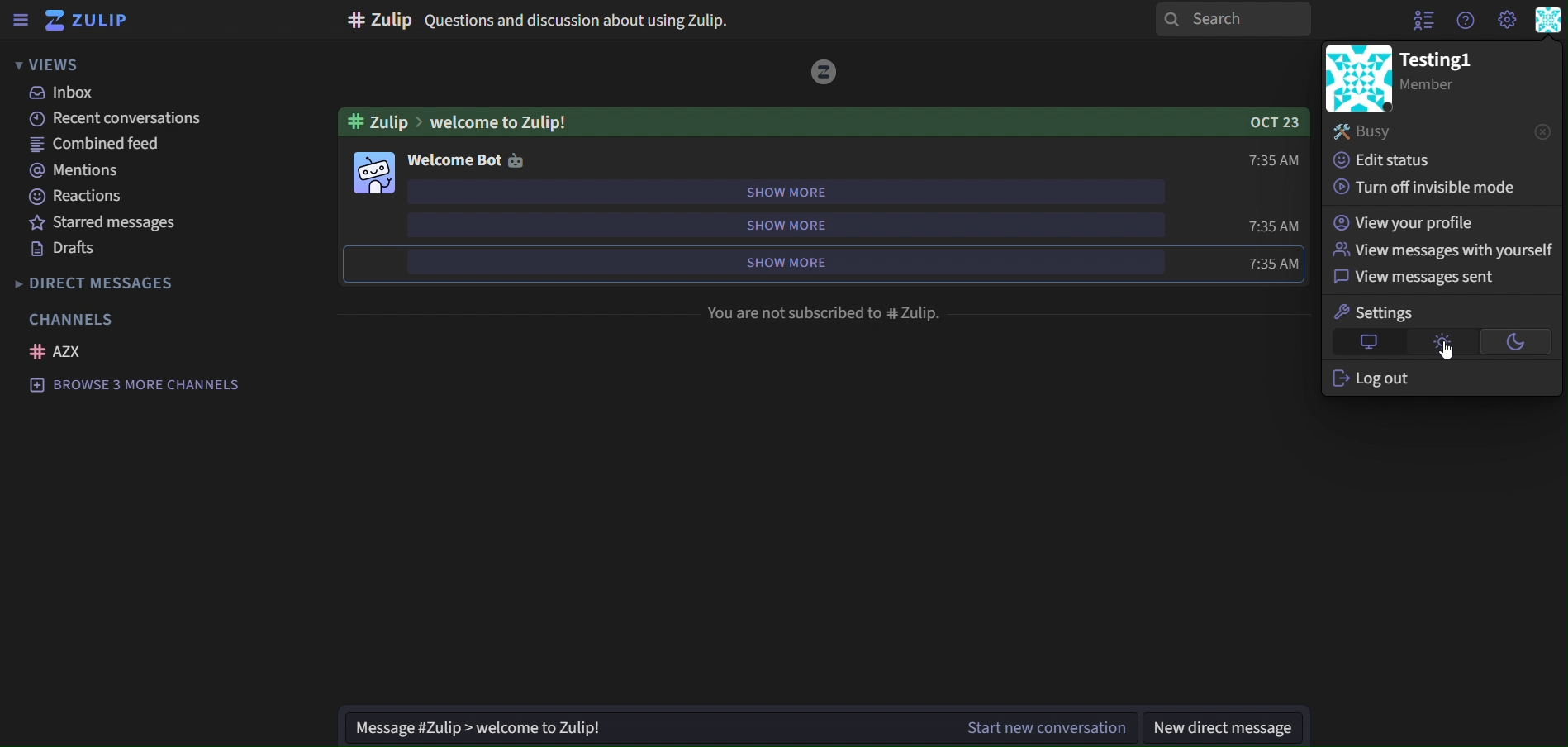  Describe the element at coordinates (67, 63) in the screenshot. I see `views` at that location.